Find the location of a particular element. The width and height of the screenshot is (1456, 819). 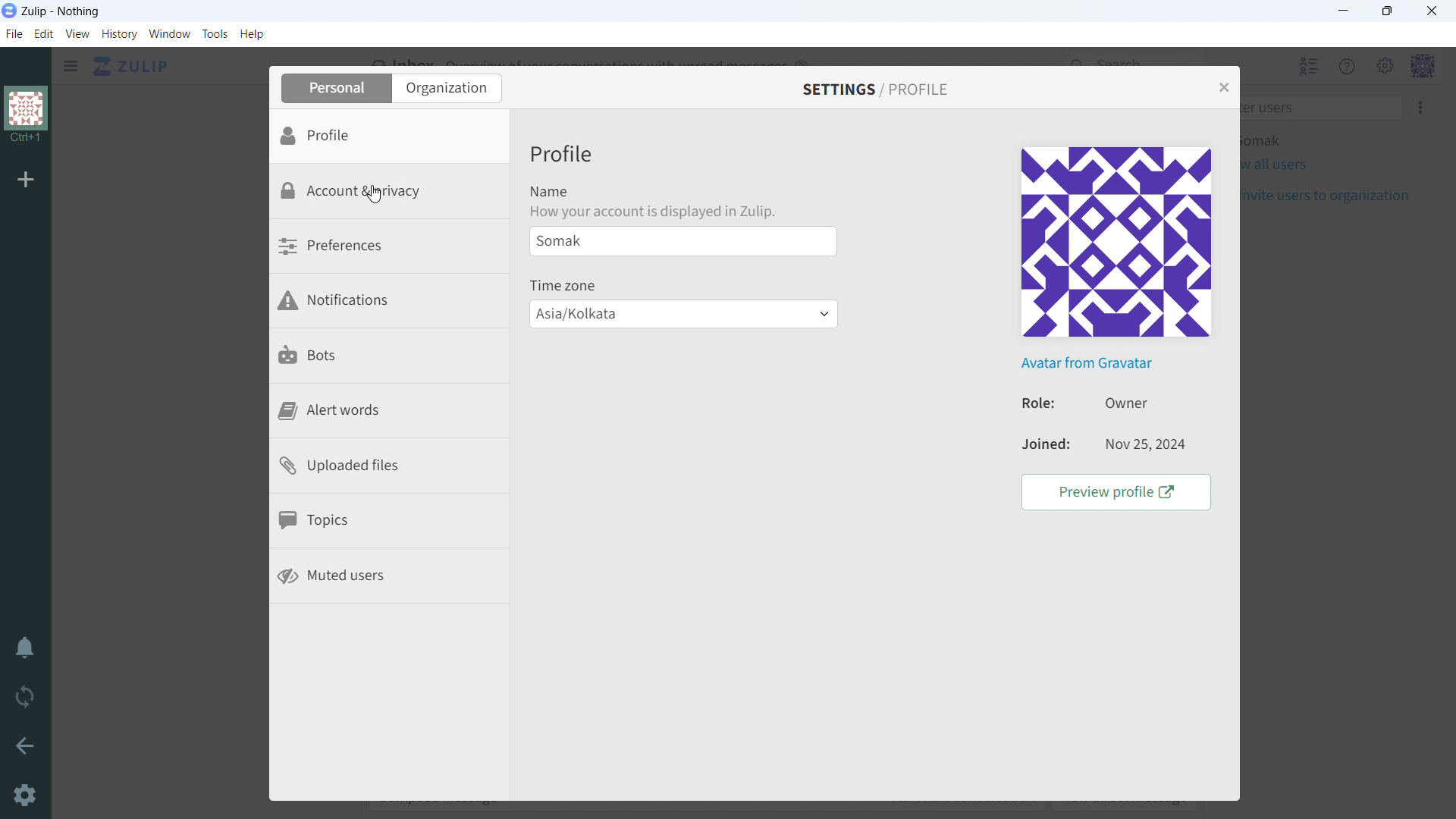

uploaded files is located at coordinates (391, 467).